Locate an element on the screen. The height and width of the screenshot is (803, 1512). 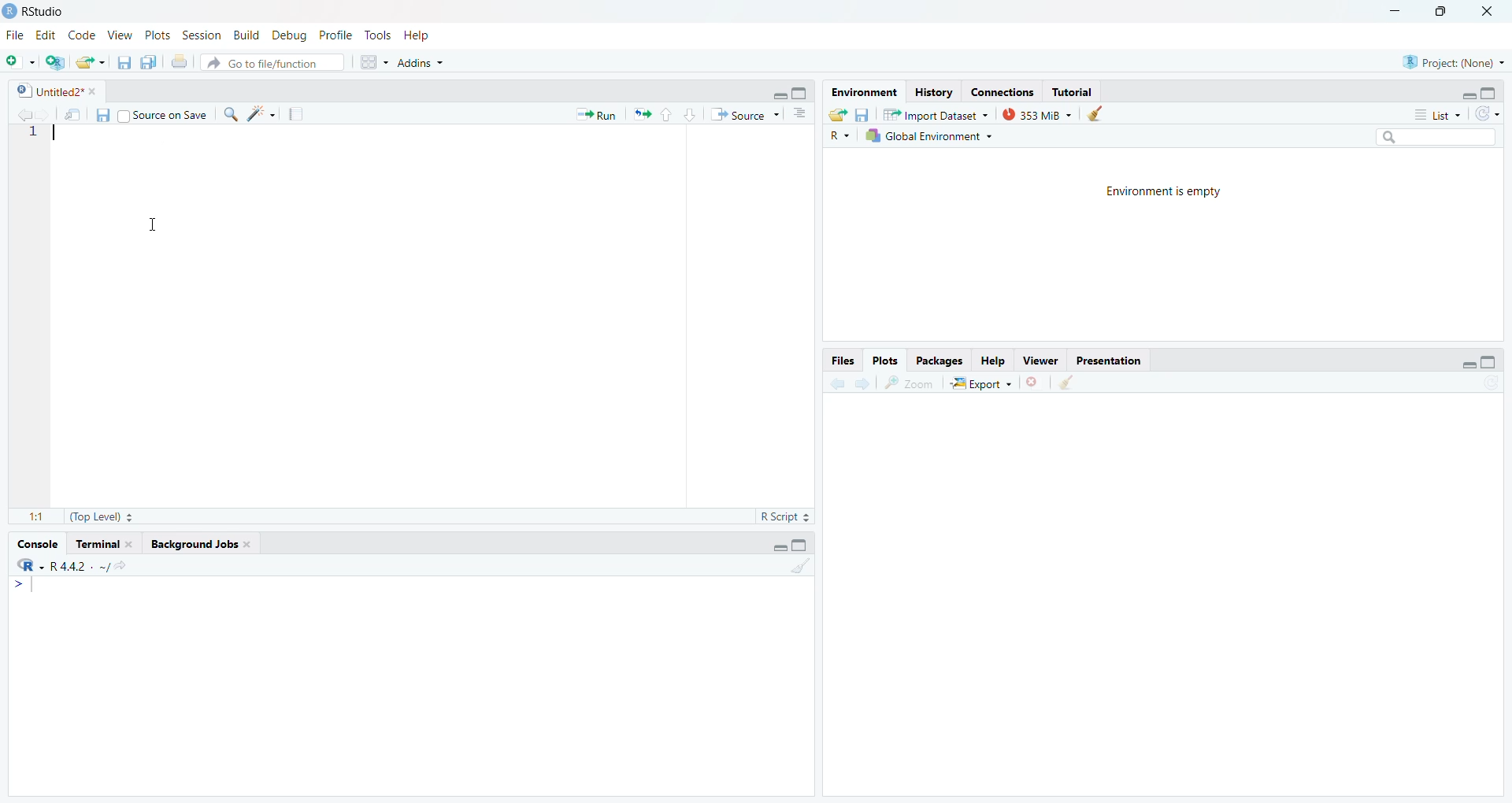
 Addins ~ is located at coordinates (421, 65).